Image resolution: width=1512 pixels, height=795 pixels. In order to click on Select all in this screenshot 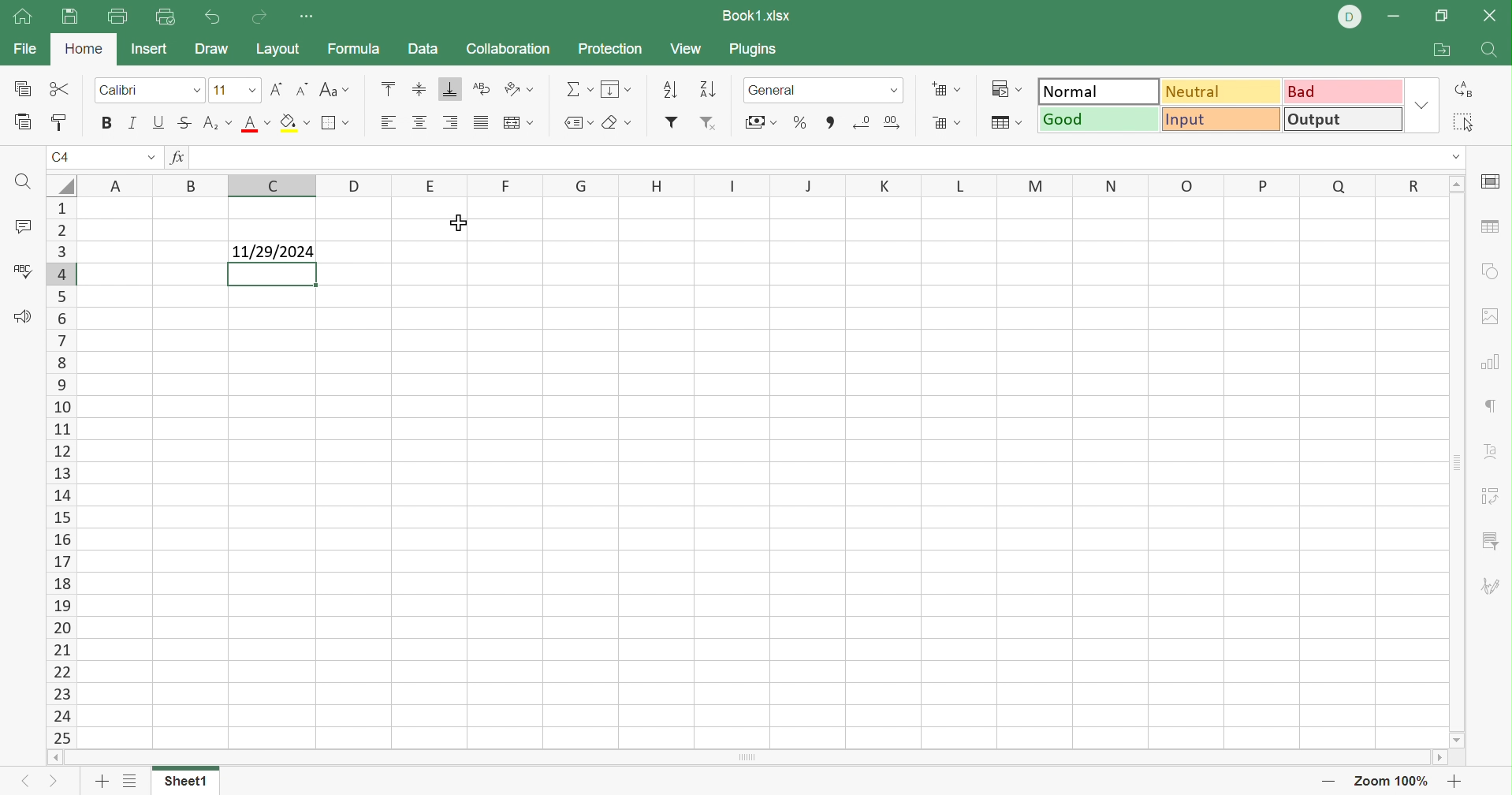, I will do `click(1463, 121)`.